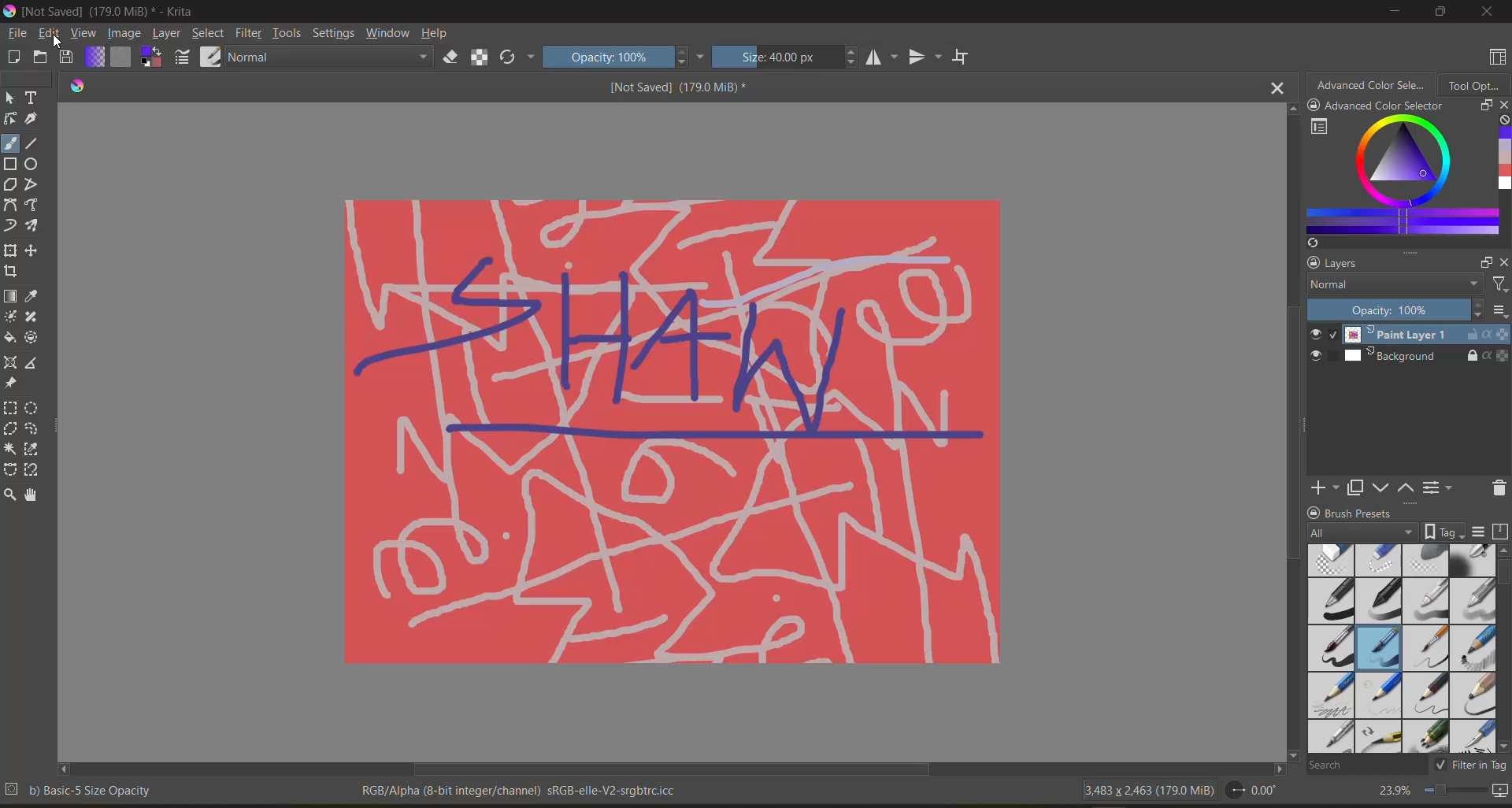 Image resolution: width=1512 pixels, height=808 pixels. What do you see at coordinates (1455, 790) in the screenshot?
I see `zoom` at bounding box center [1455, 790].